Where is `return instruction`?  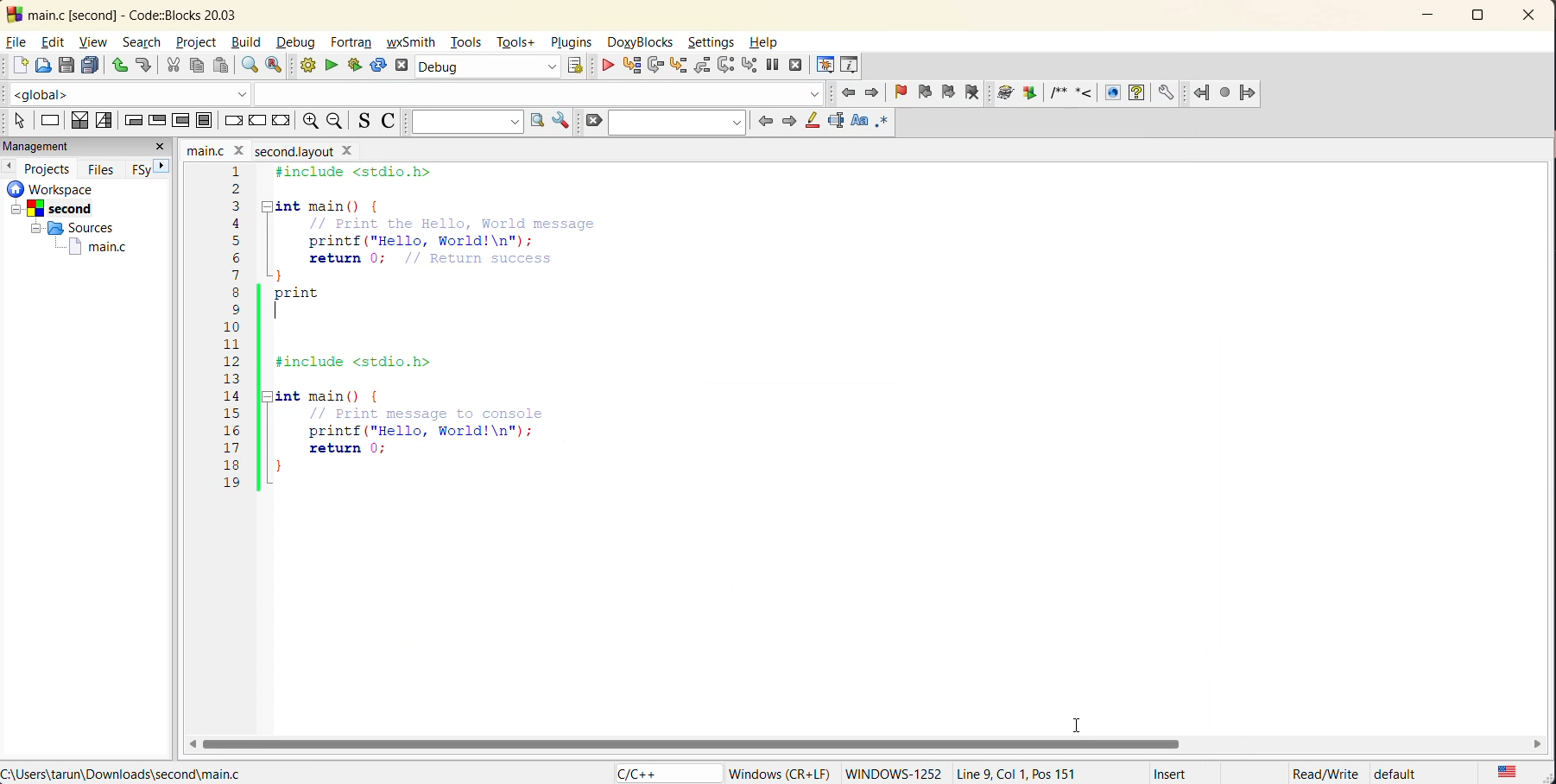 return instruction is located at coordinates (284, 122).